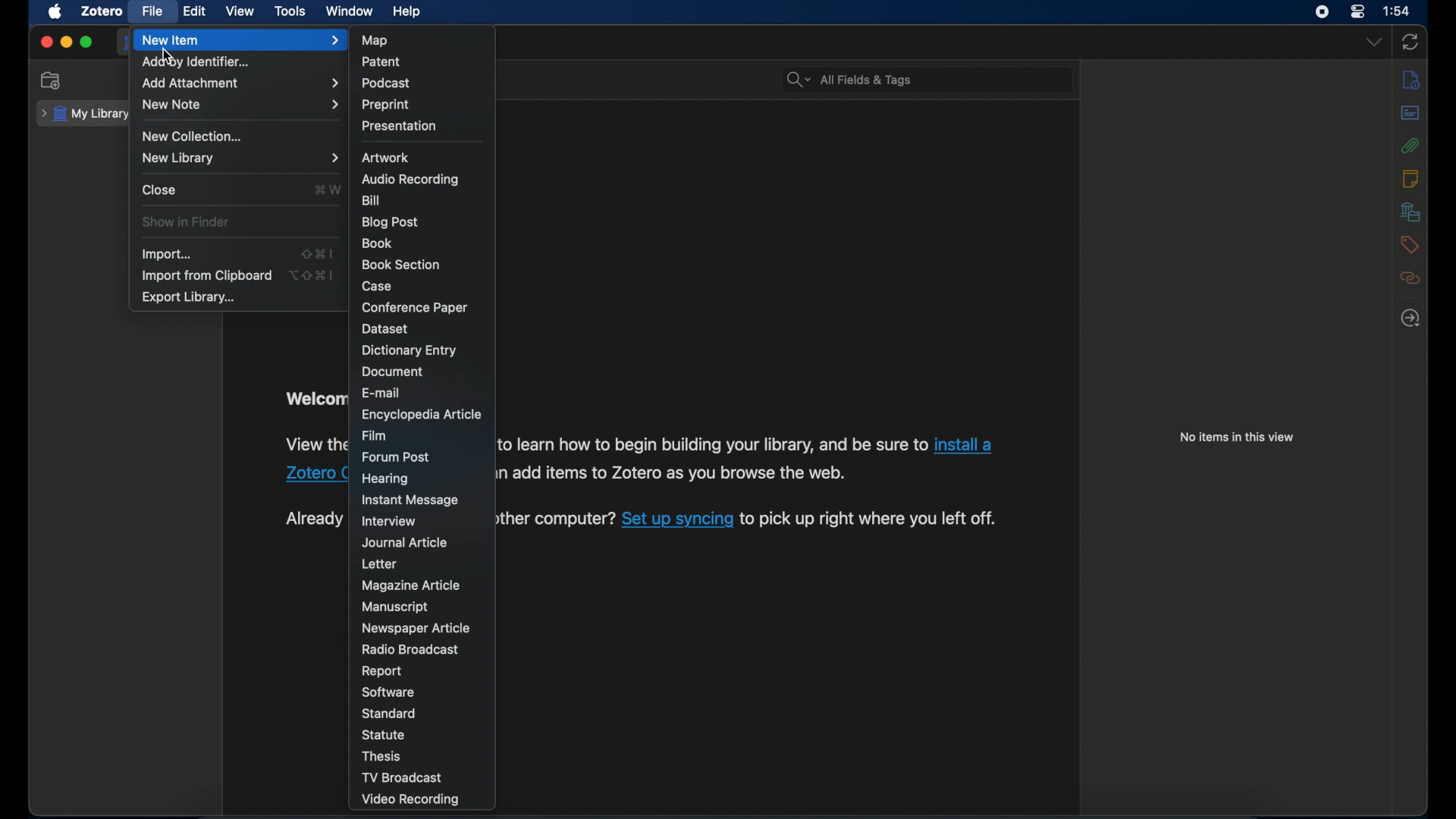  What do you see at coordinates (1410, 278) in the screenshot?
I see `related` at bounding box center [1410, 278].